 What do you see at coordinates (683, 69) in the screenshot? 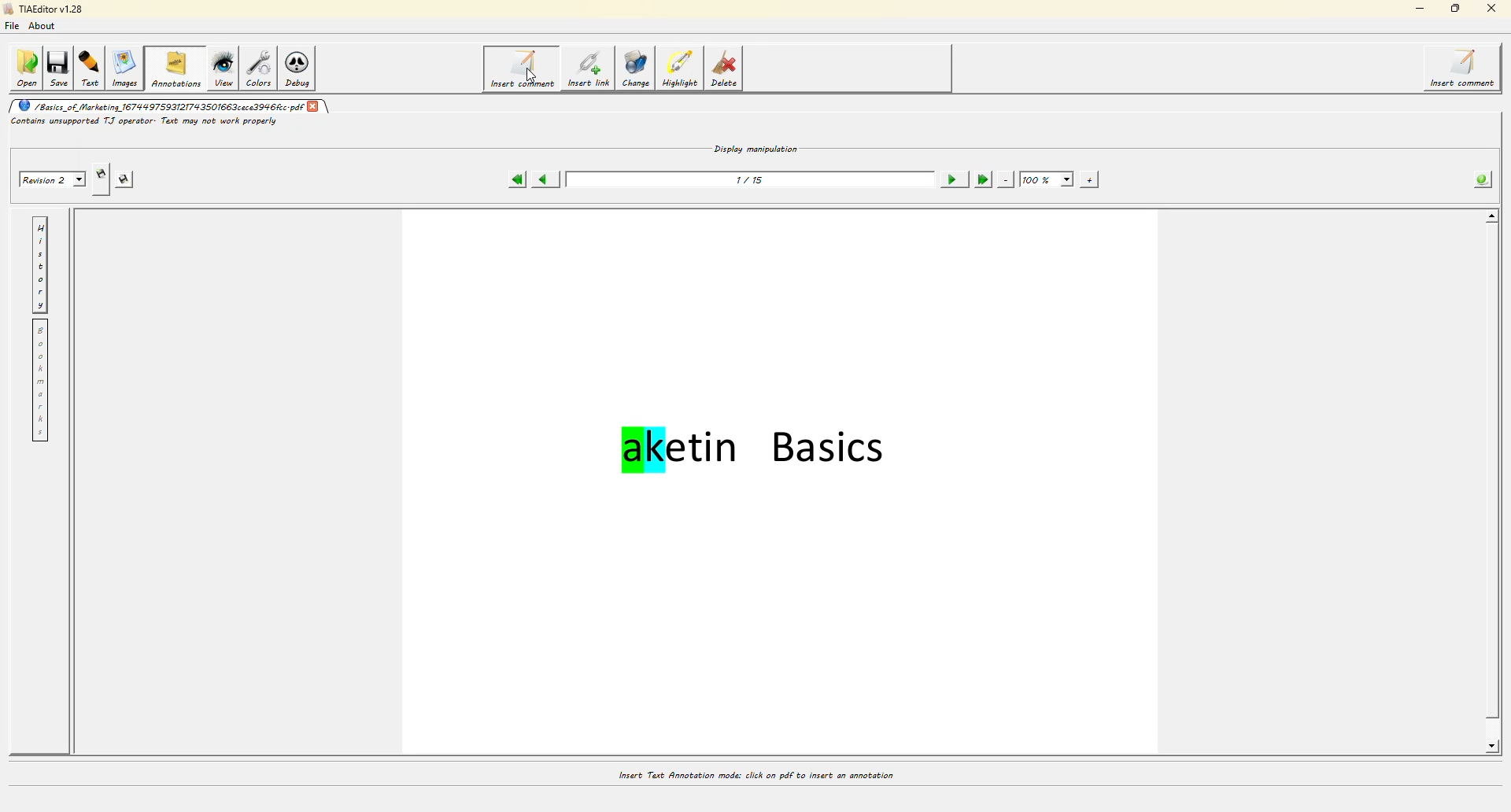
I see `highlight` at bounding box center [683, 69].